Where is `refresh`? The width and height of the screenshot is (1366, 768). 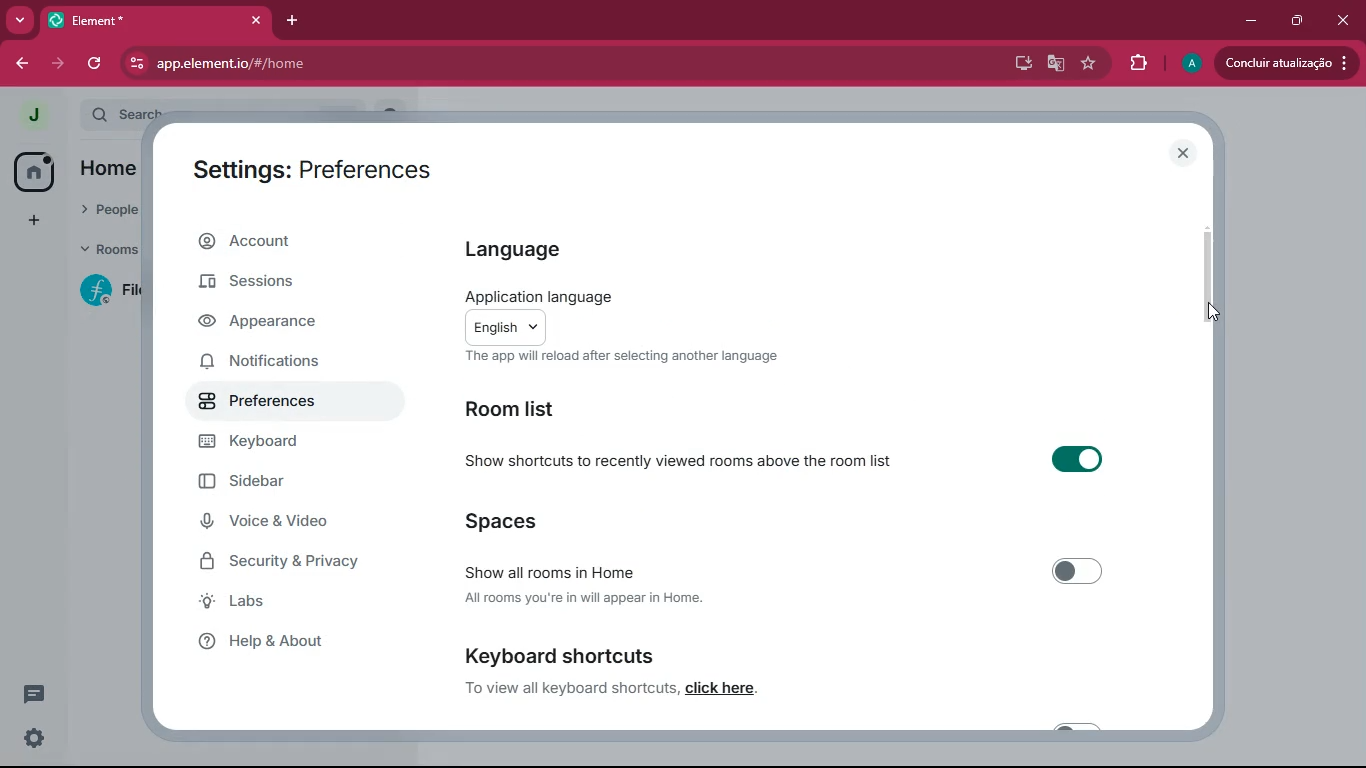 refresh is located at coordinates (95, 64).